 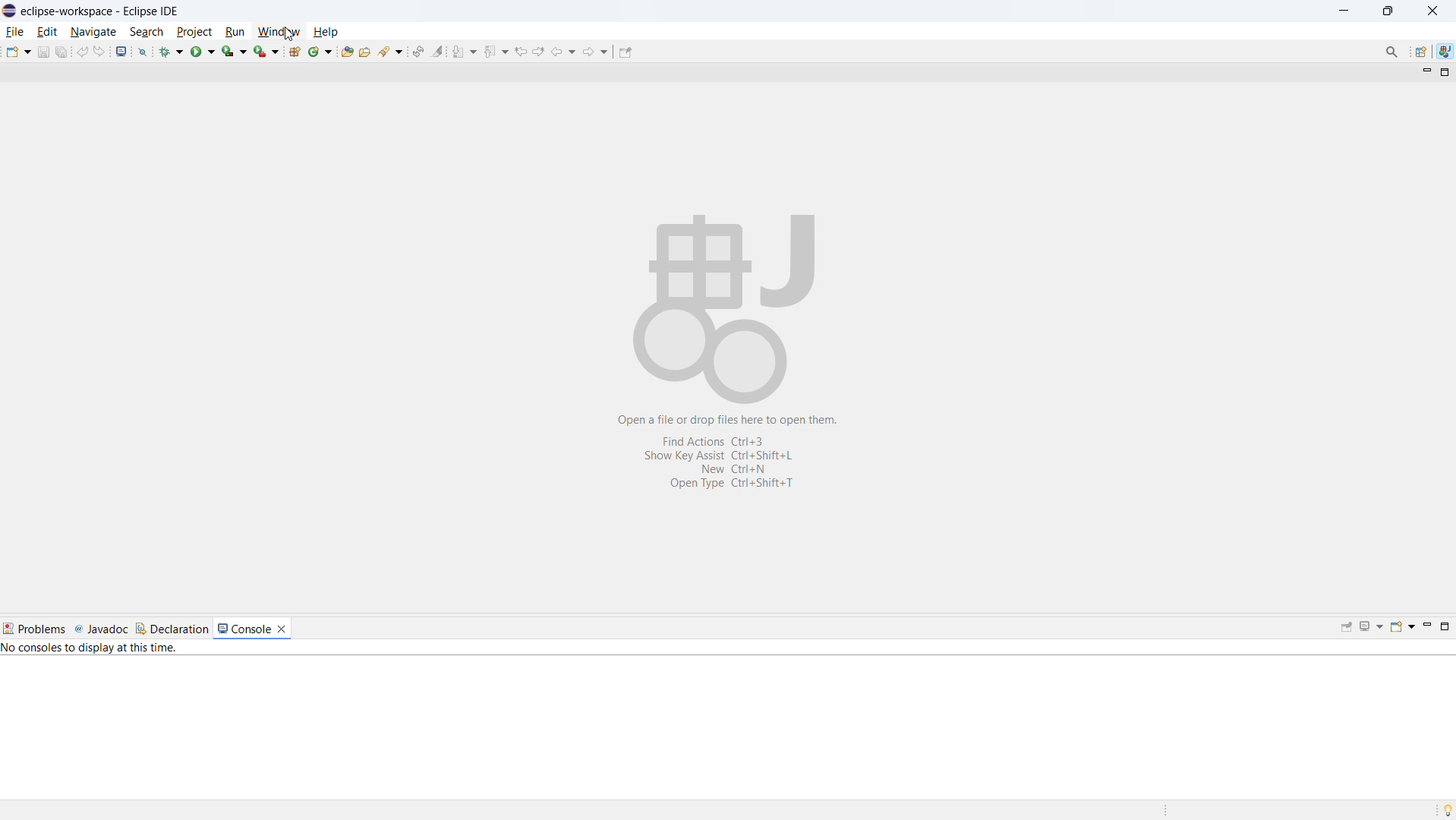 I want to click on eclipse-workspace-Eclipse IDE, so click(x=97, y=11).